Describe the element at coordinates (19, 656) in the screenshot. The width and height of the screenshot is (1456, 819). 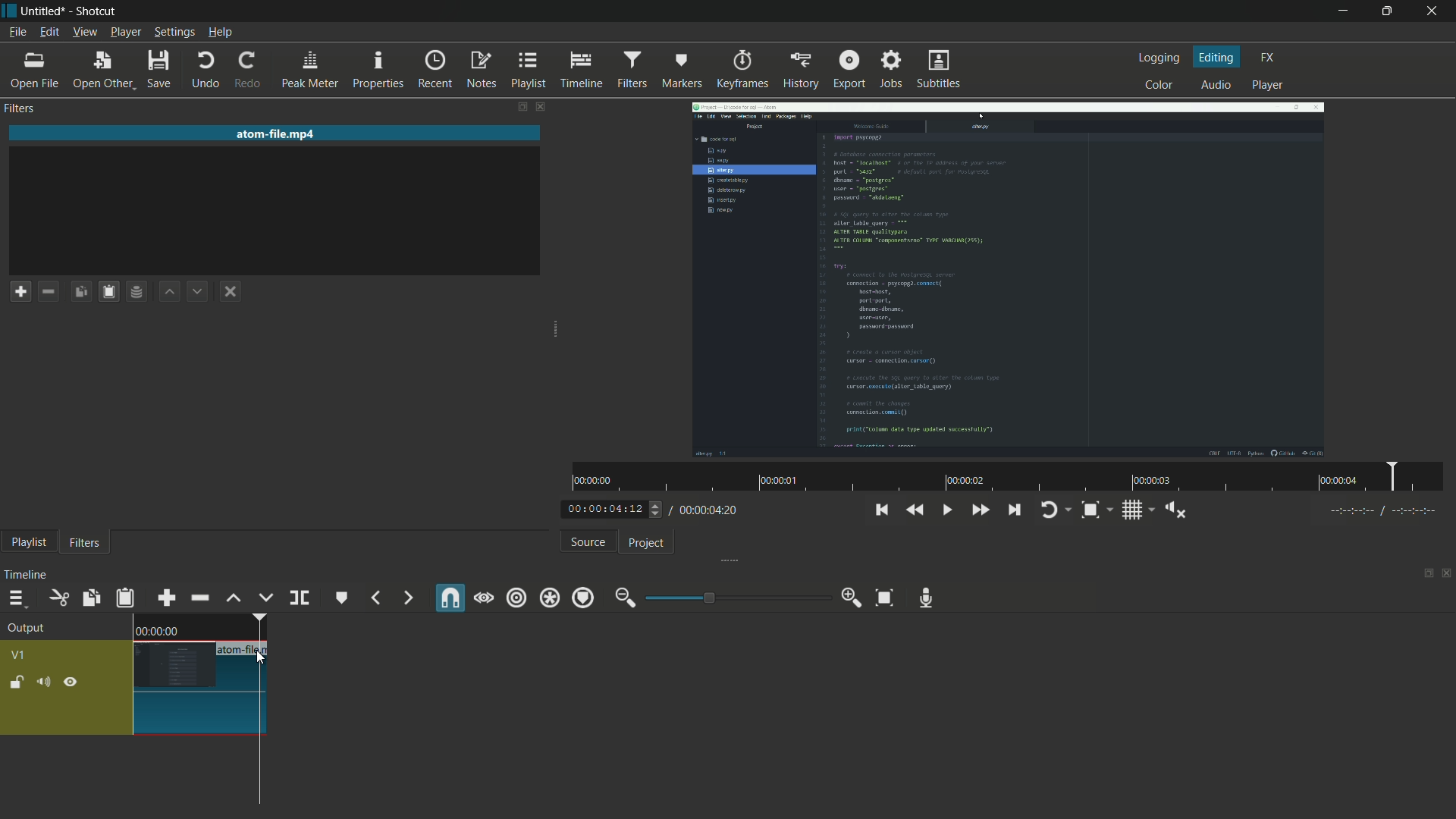
I see `v1` at that location.